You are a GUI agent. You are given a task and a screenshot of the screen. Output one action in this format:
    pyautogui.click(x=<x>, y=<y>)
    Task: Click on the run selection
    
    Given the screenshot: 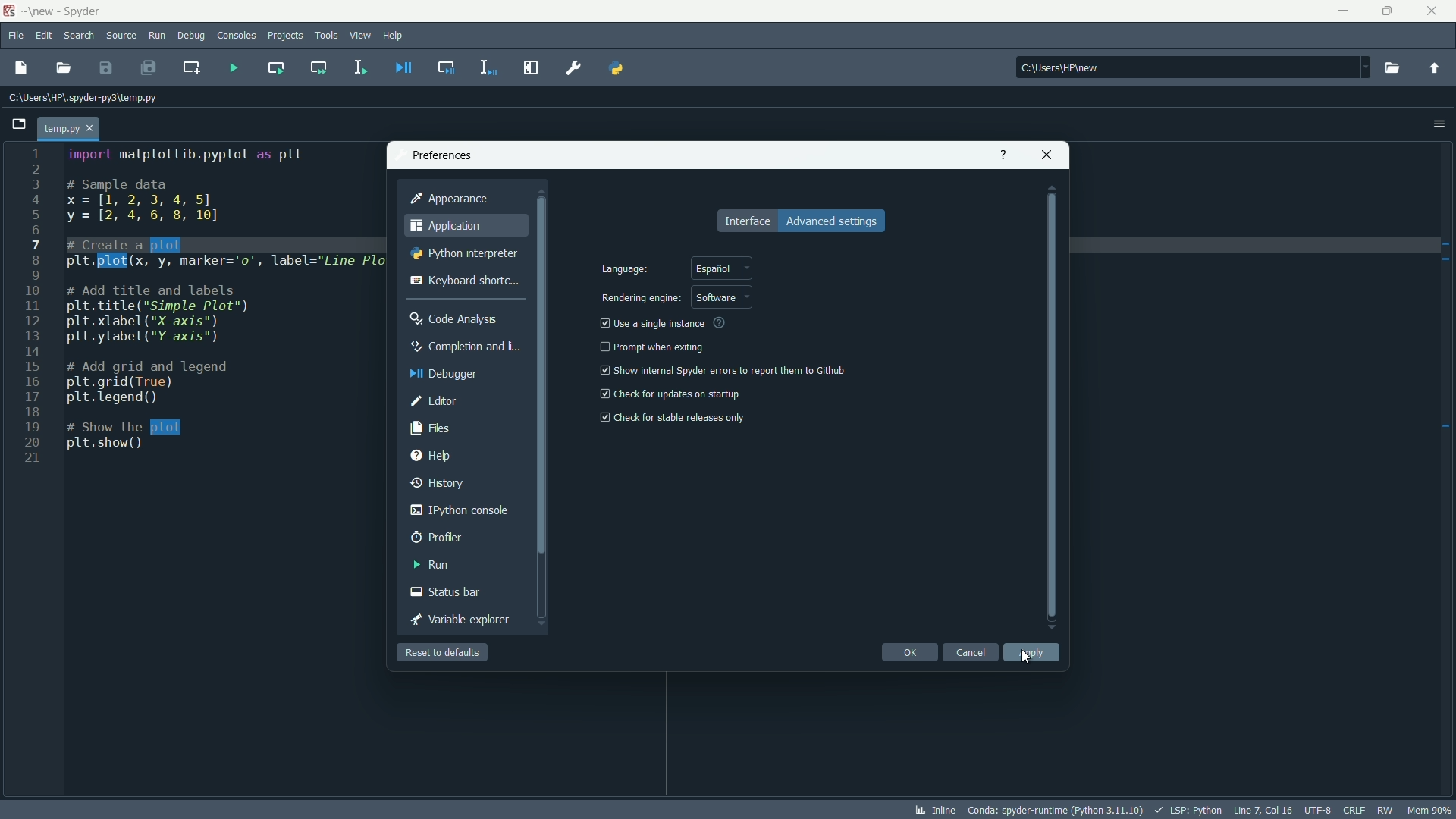 What is the action you would take?
    pyautogui.click(x=358, y=67)
    